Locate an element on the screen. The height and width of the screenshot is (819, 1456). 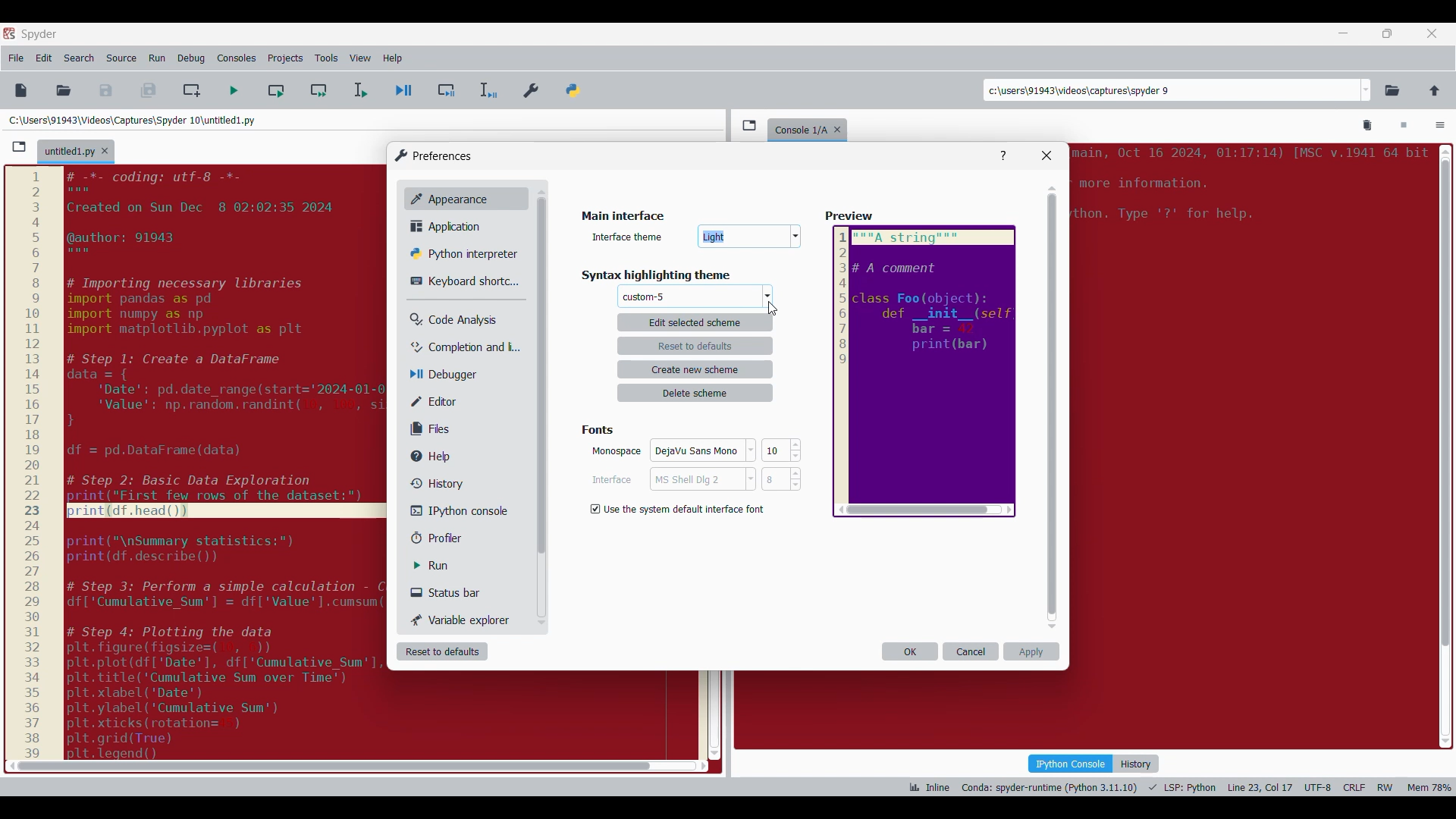
Interrupt kernel is located at coordinates (1404, 126).